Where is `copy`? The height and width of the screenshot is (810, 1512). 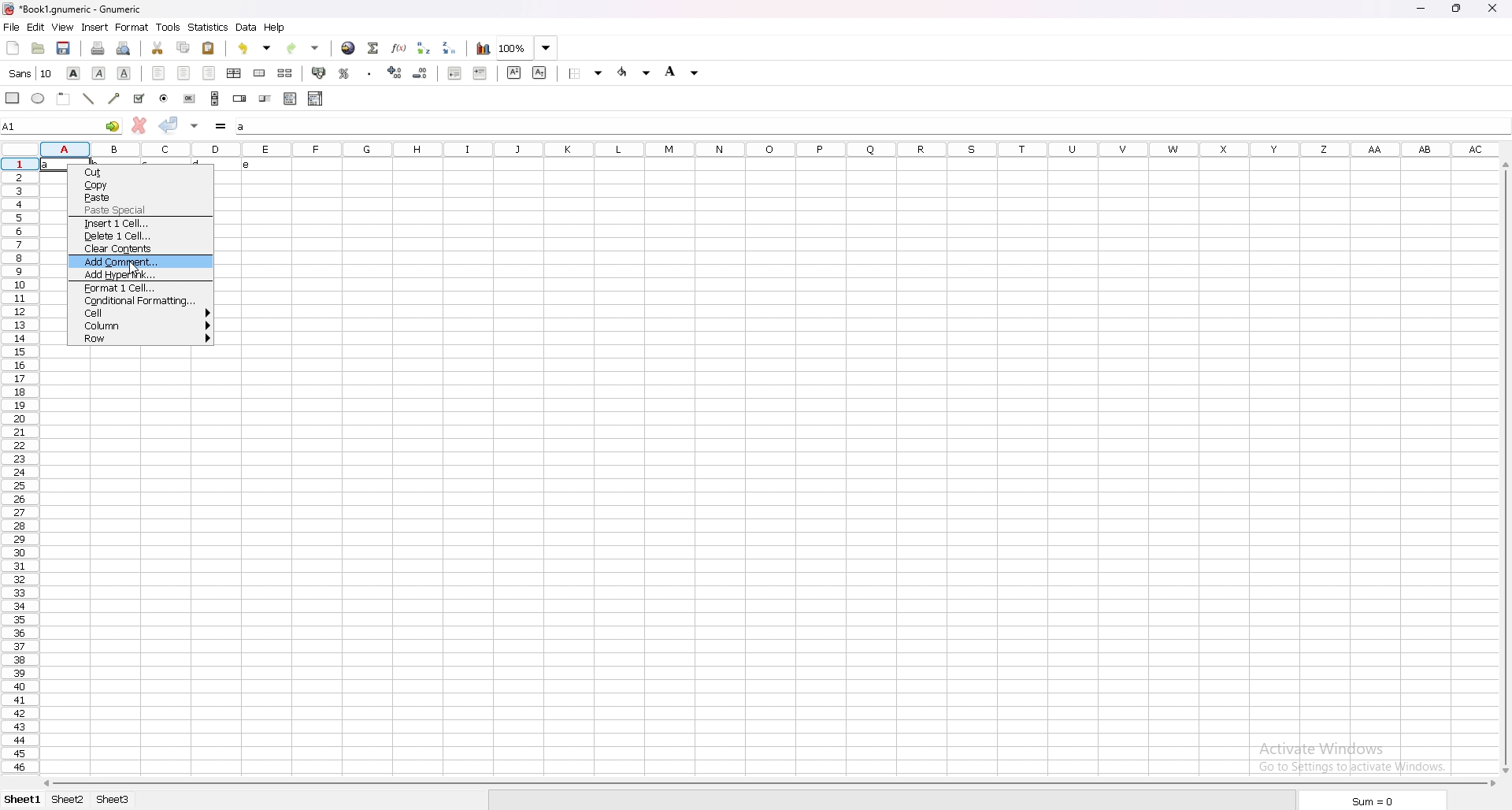
copy is located at coordinates (184, 46).